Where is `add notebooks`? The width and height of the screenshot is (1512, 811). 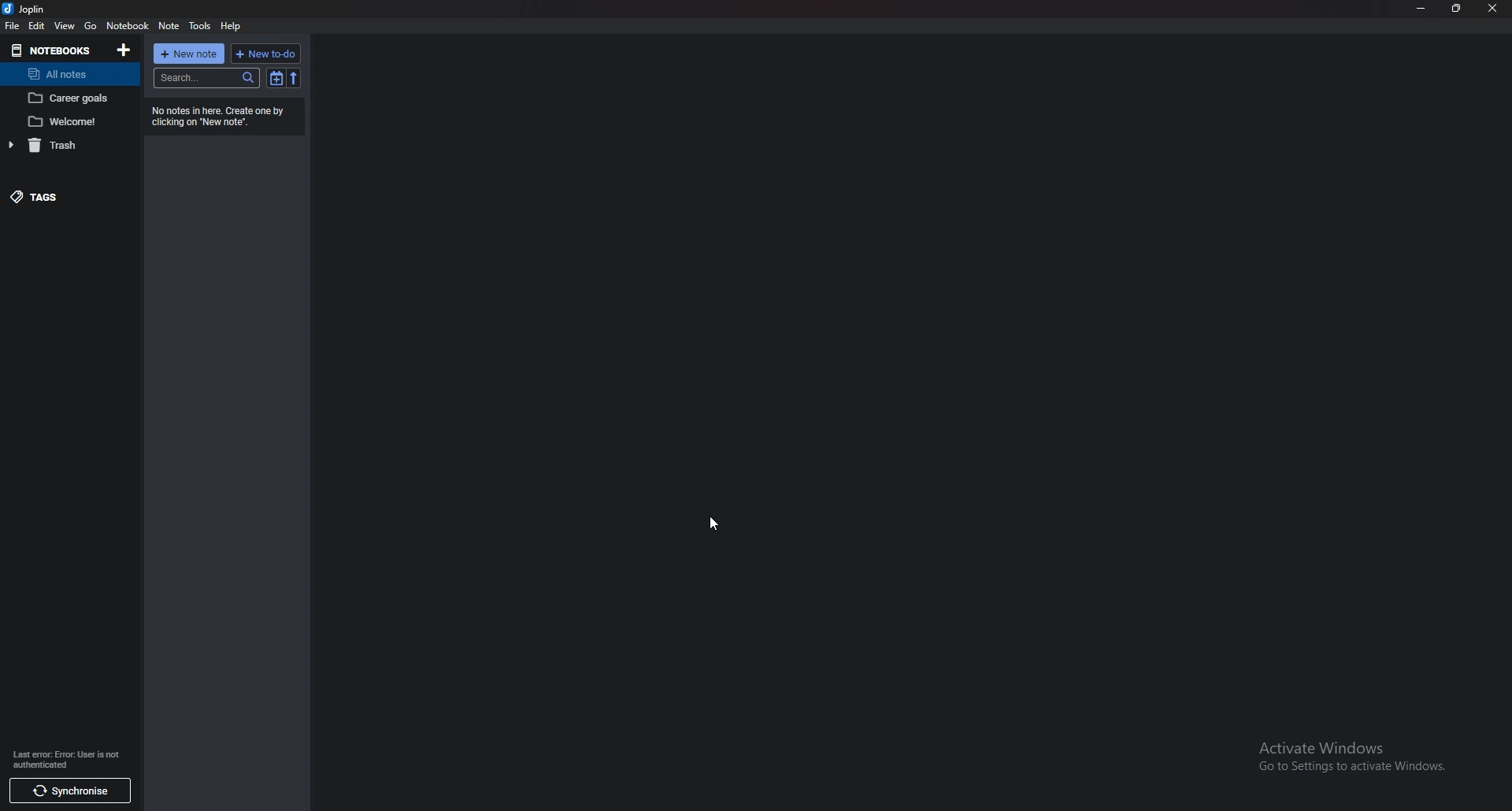 add notebooks is located at coordinates (124, 50).